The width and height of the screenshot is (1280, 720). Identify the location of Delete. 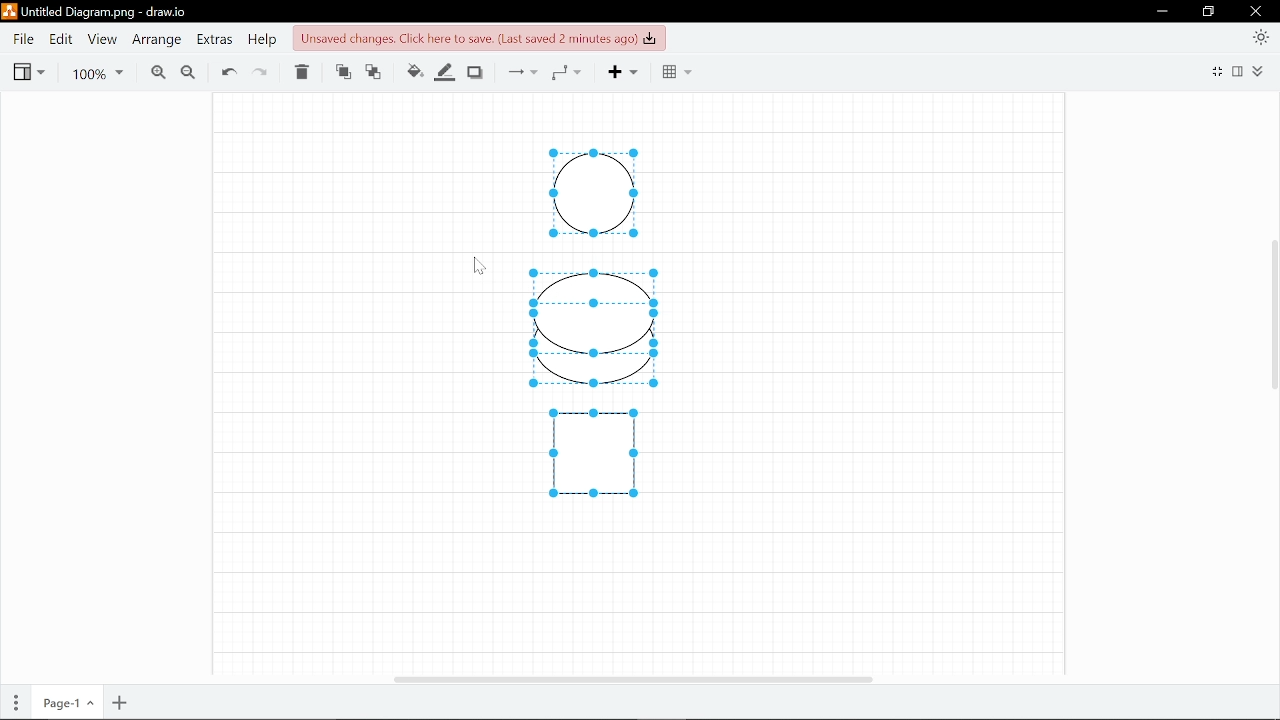
(304, 73).